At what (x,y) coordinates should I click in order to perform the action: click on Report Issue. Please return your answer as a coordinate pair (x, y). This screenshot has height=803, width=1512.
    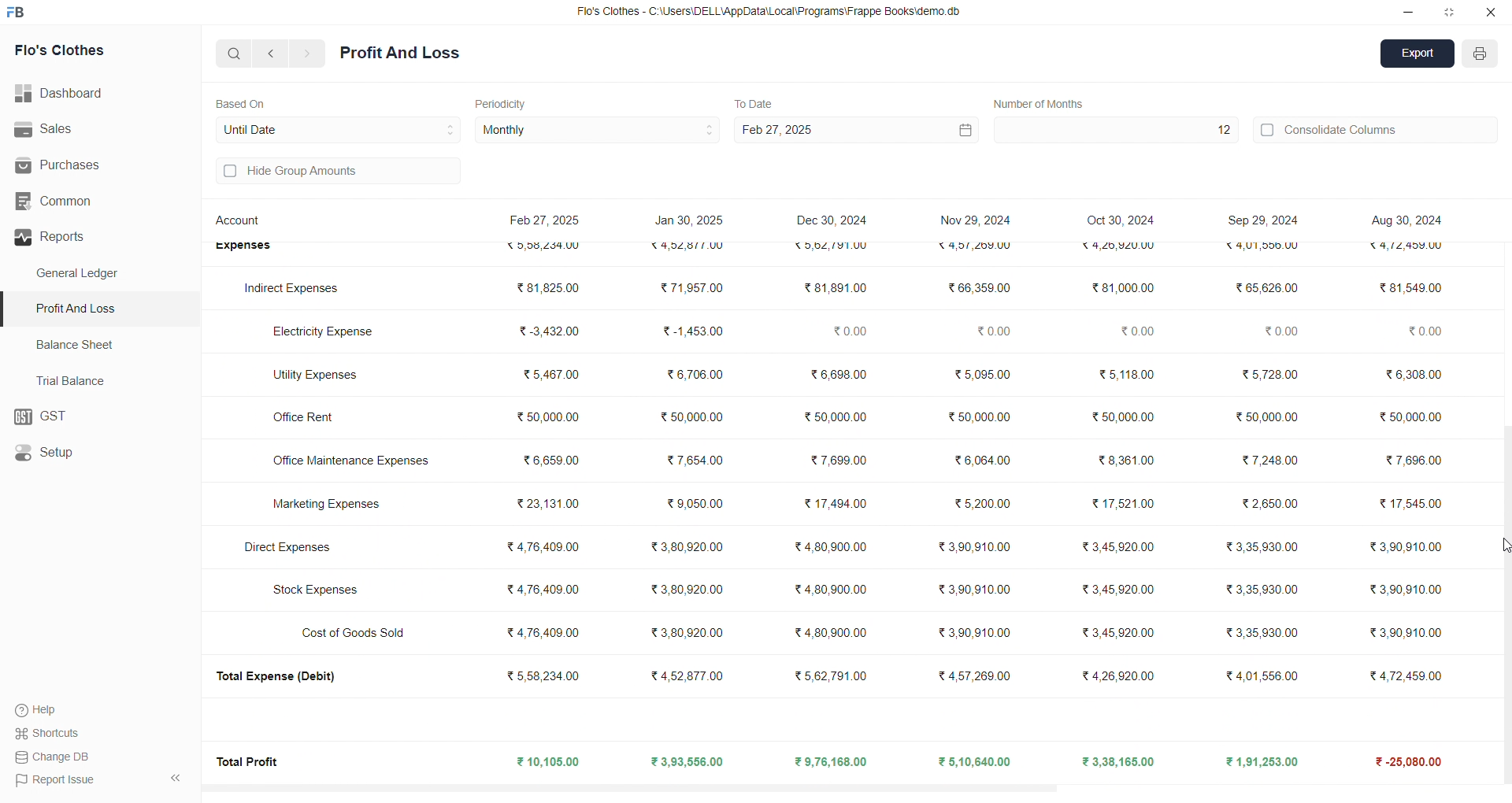
    Looking at the image, I should click on (56, 779).